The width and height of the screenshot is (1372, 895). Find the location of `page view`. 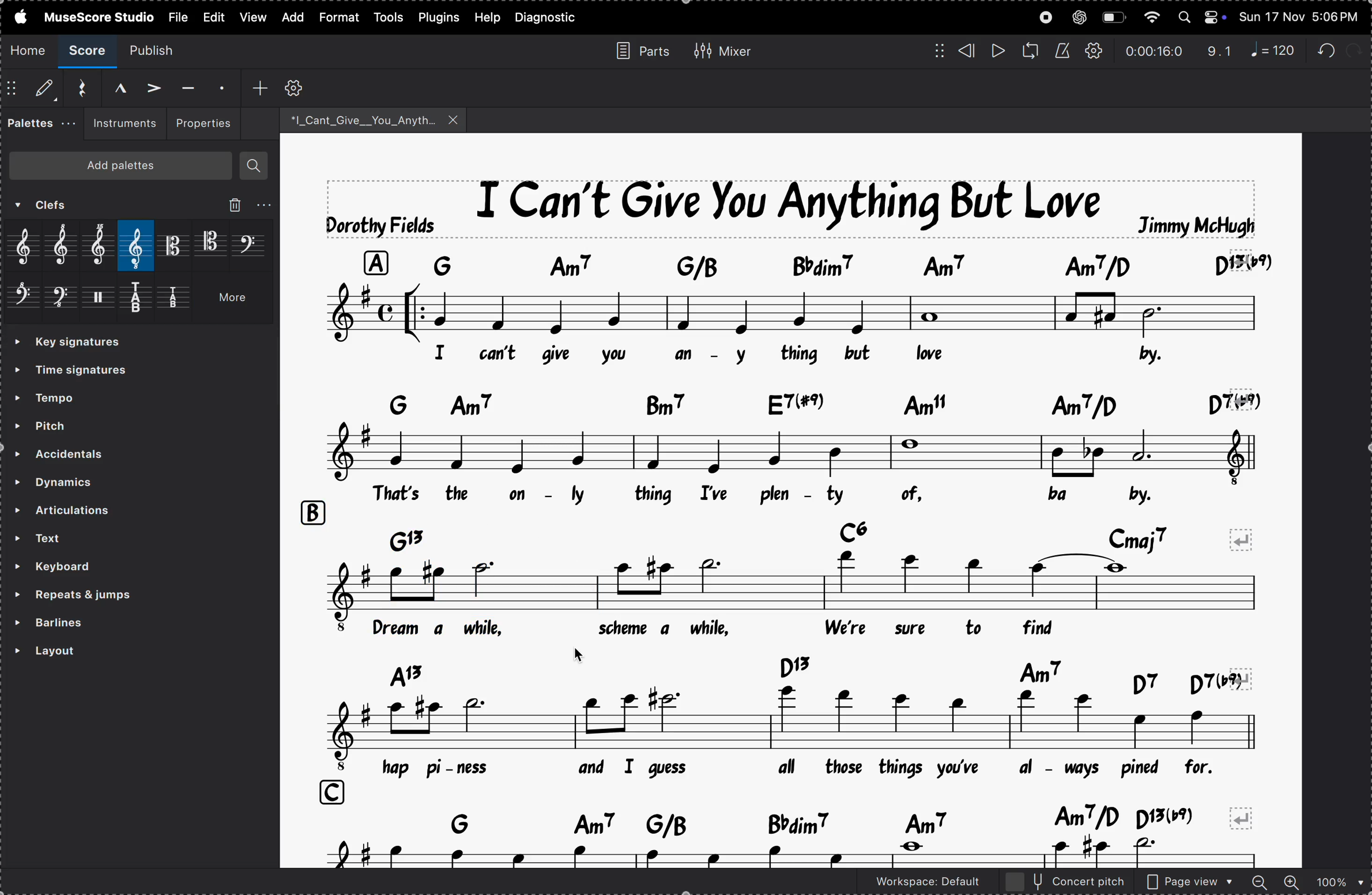

page view is located at coordinates (1190, 882).